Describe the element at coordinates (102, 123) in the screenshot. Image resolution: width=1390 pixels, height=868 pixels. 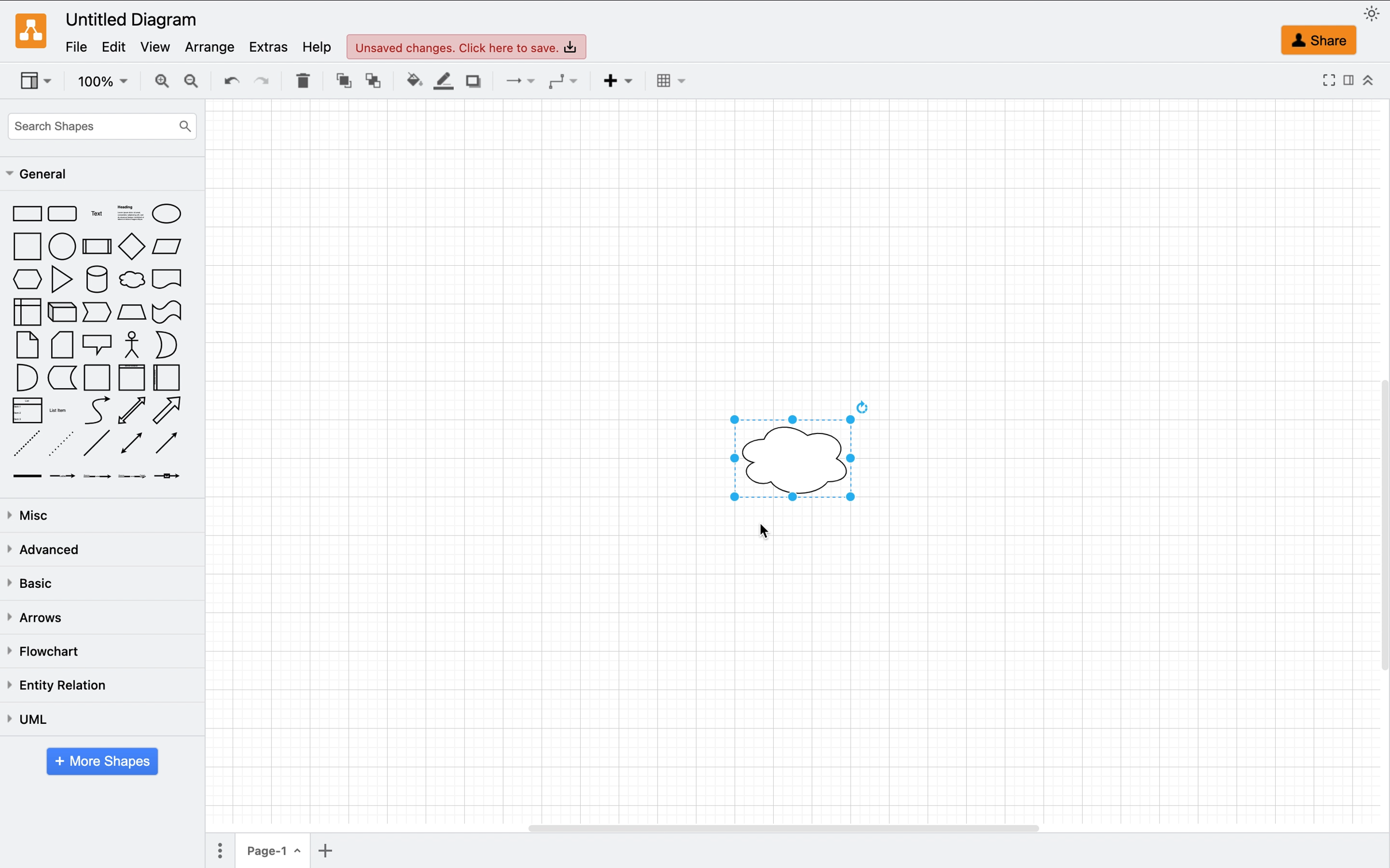
I see `search shapes` at that location.